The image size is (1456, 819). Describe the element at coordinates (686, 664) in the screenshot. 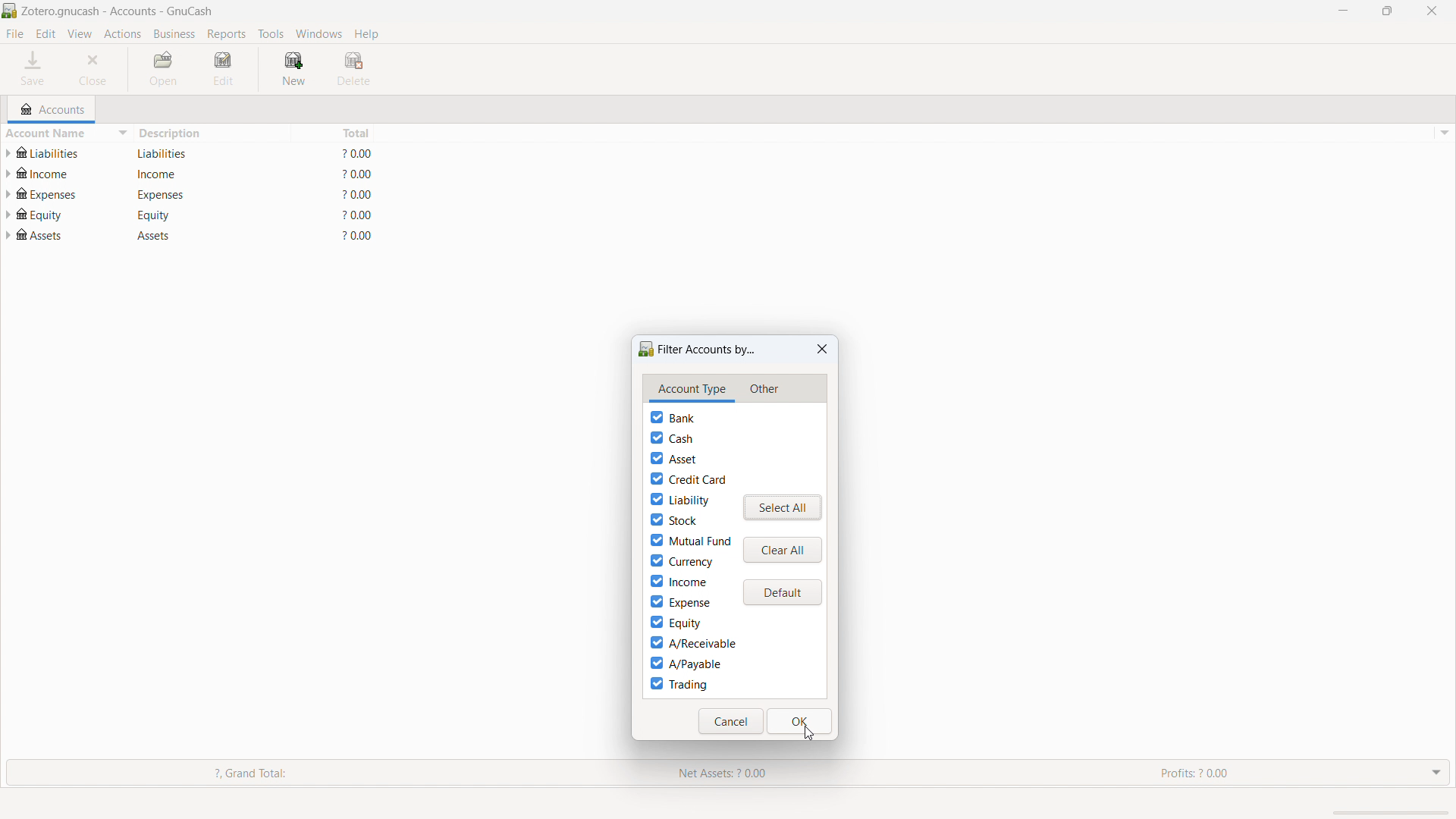

I see `A/payable` at that location.